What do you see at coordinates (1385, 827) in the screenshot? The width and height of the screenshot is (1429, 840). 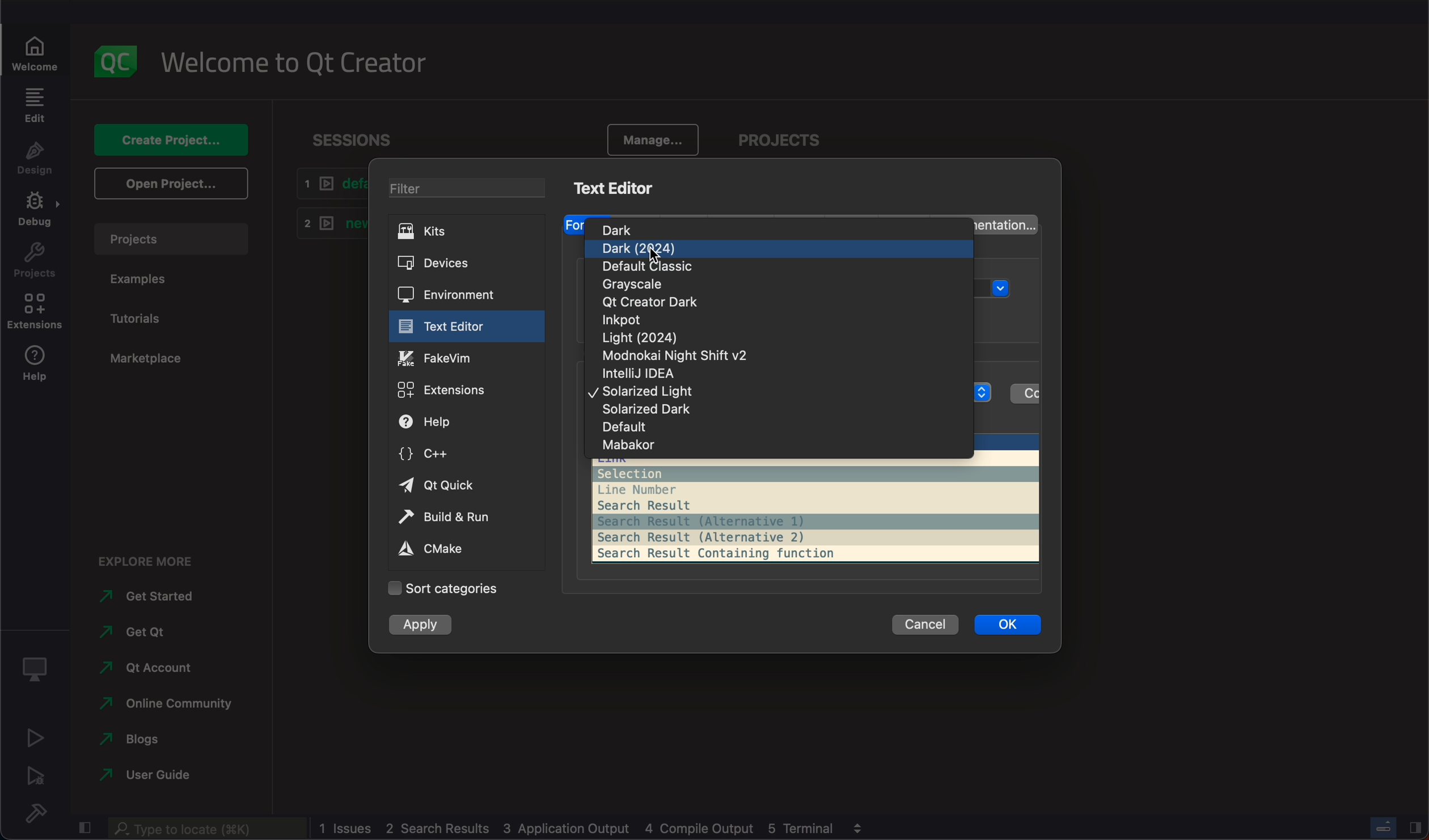 I see `progress bar` at bounding box center [1385, 827].